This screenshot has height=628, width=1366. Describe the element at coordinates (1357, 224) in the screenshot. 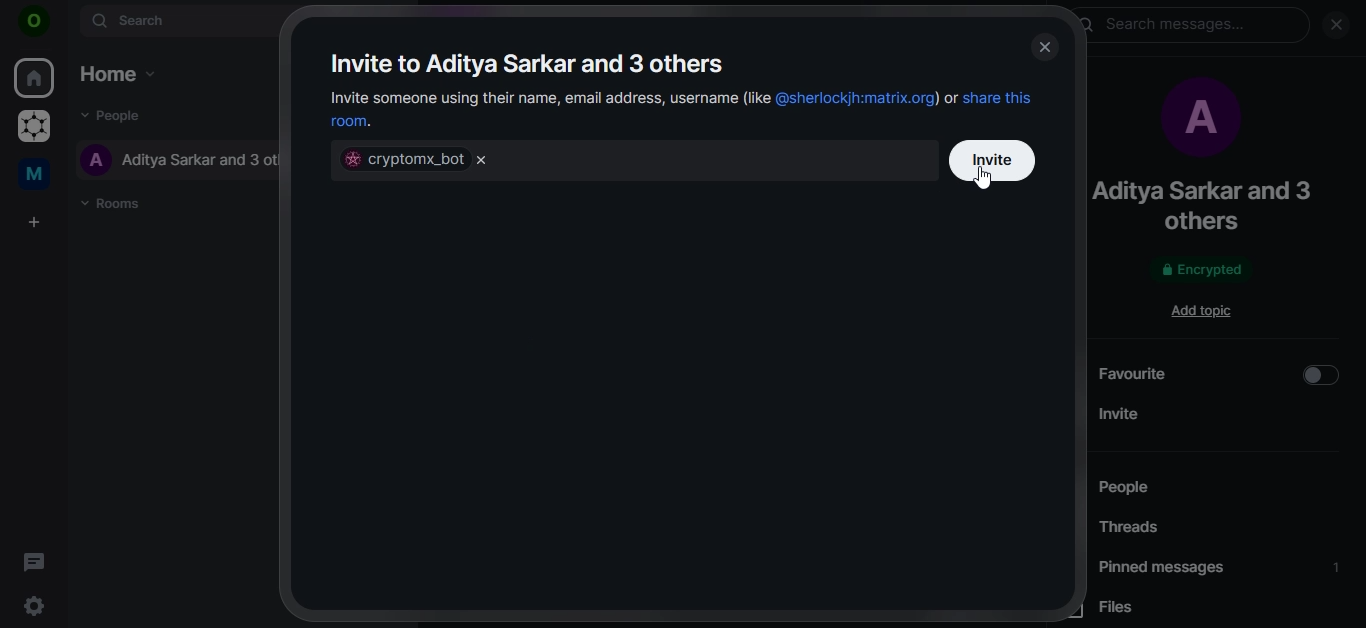

I see `scrollbar` at that location.